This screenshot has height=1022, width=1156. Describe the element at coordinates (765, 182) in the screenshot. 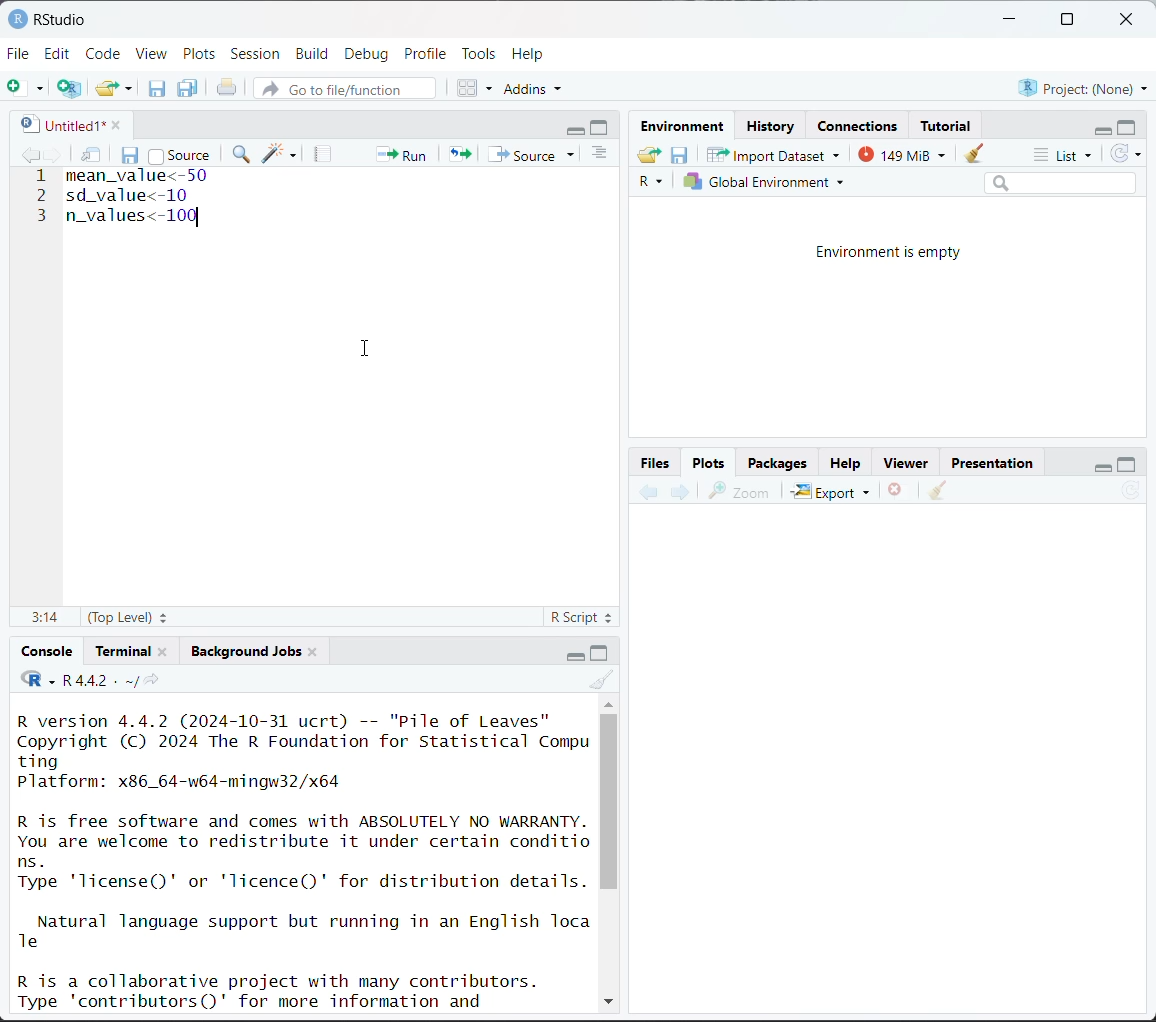

I see `Global environment` at that location.